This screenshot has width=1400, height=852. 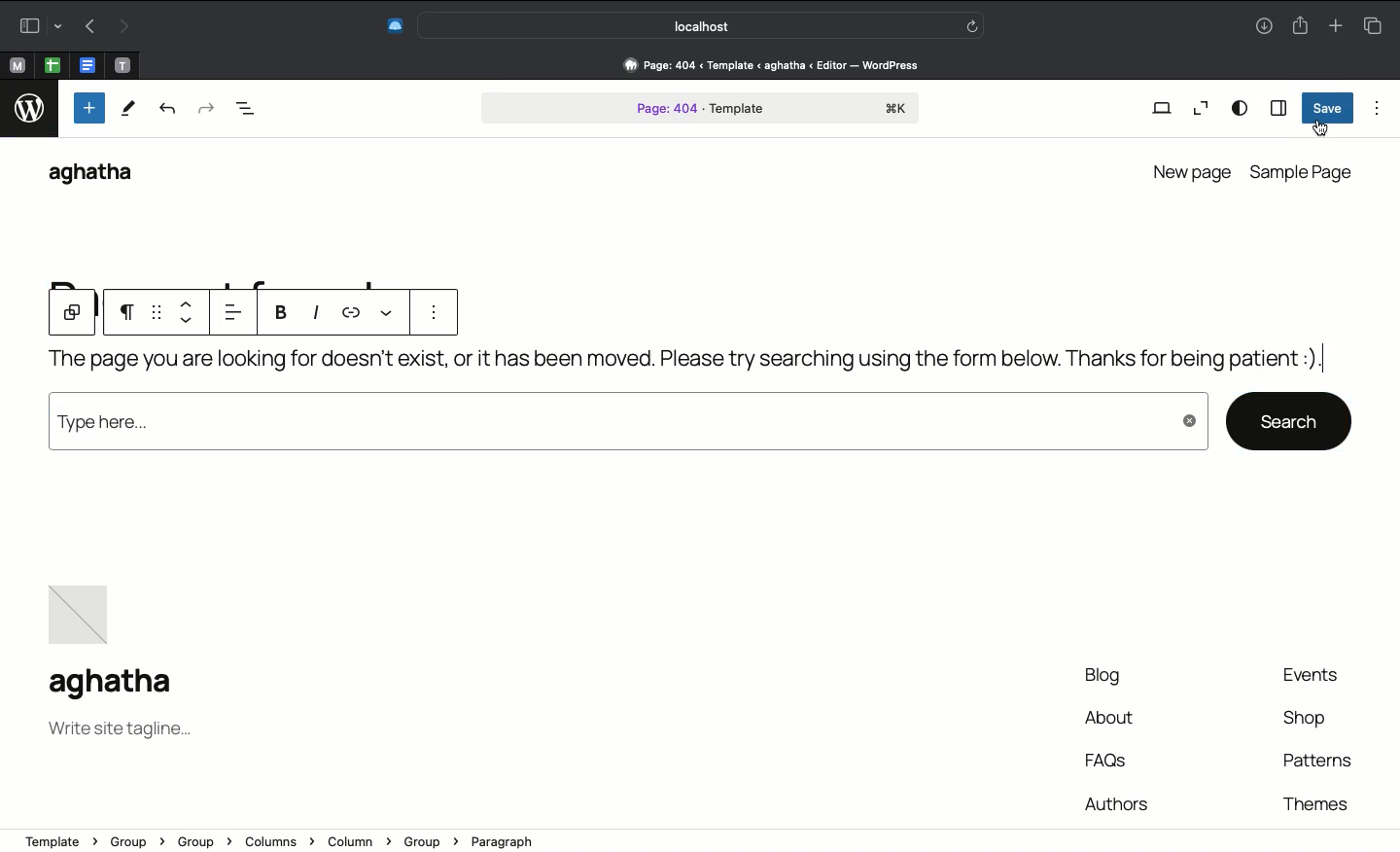 I want to click on Page 404, so click(x=701, y=110).